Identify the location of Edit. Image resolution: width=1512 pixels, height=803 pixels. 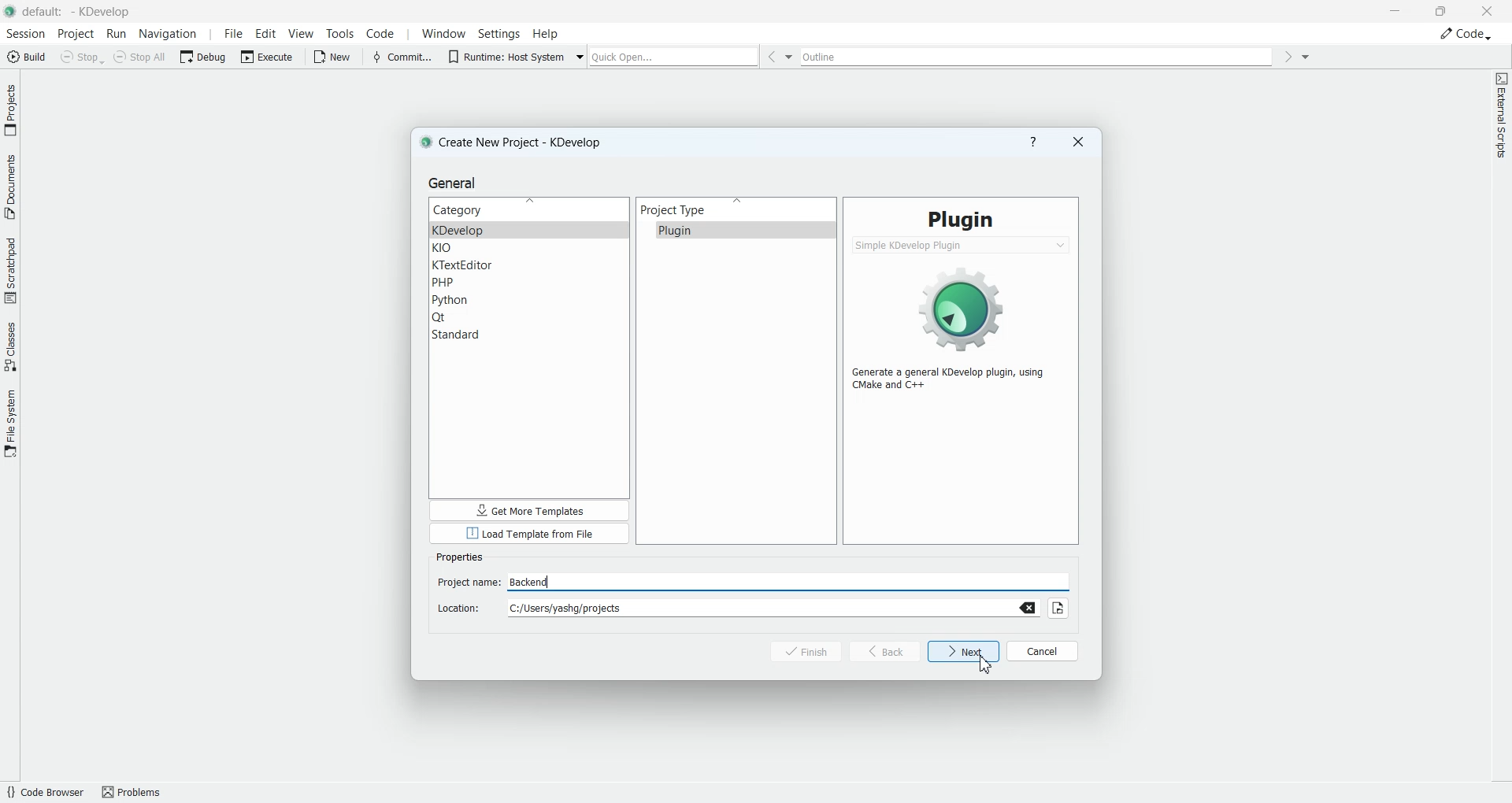
(266, 33).